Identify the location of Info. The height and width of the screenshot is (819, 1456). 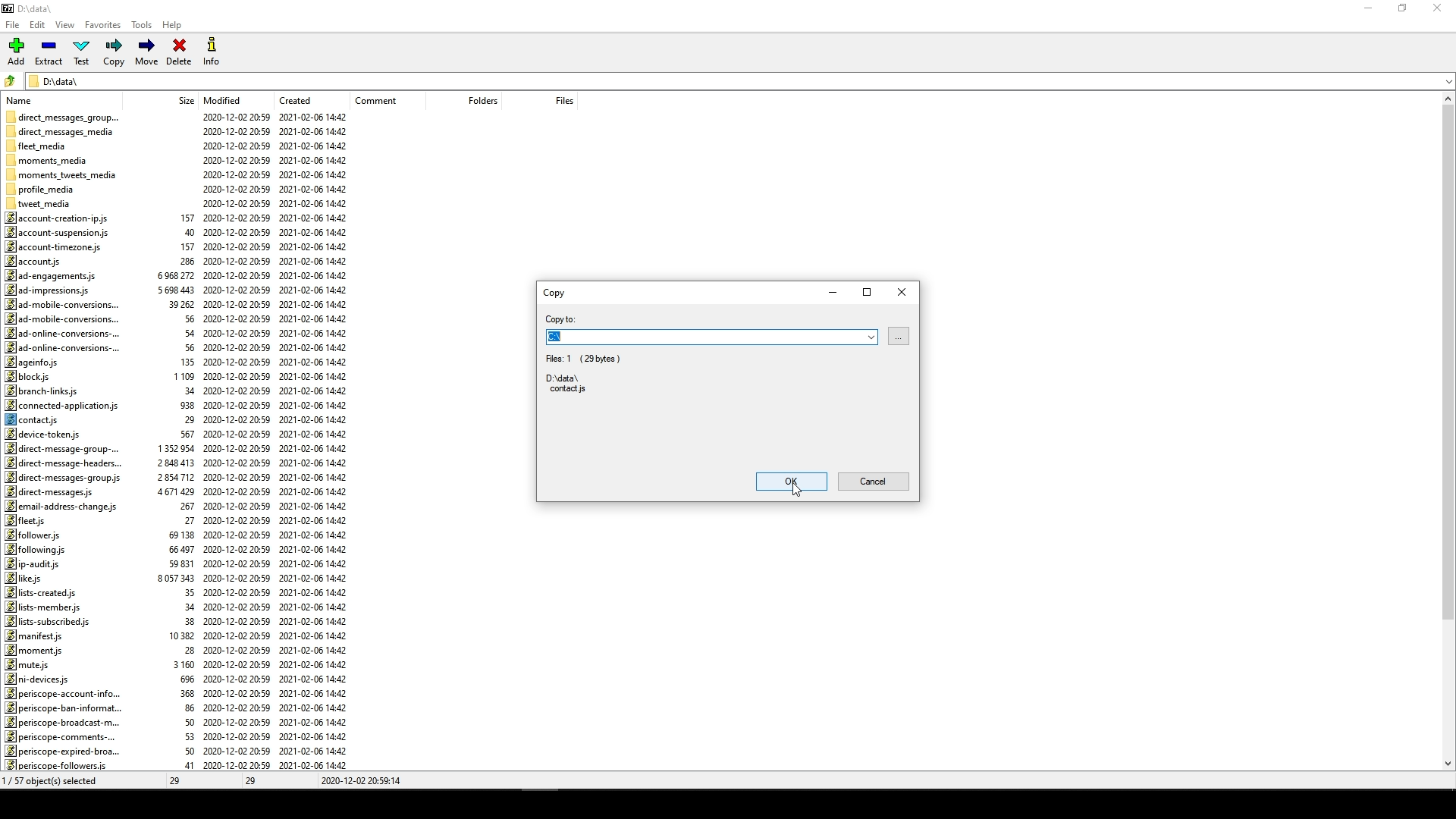
(211, 52).